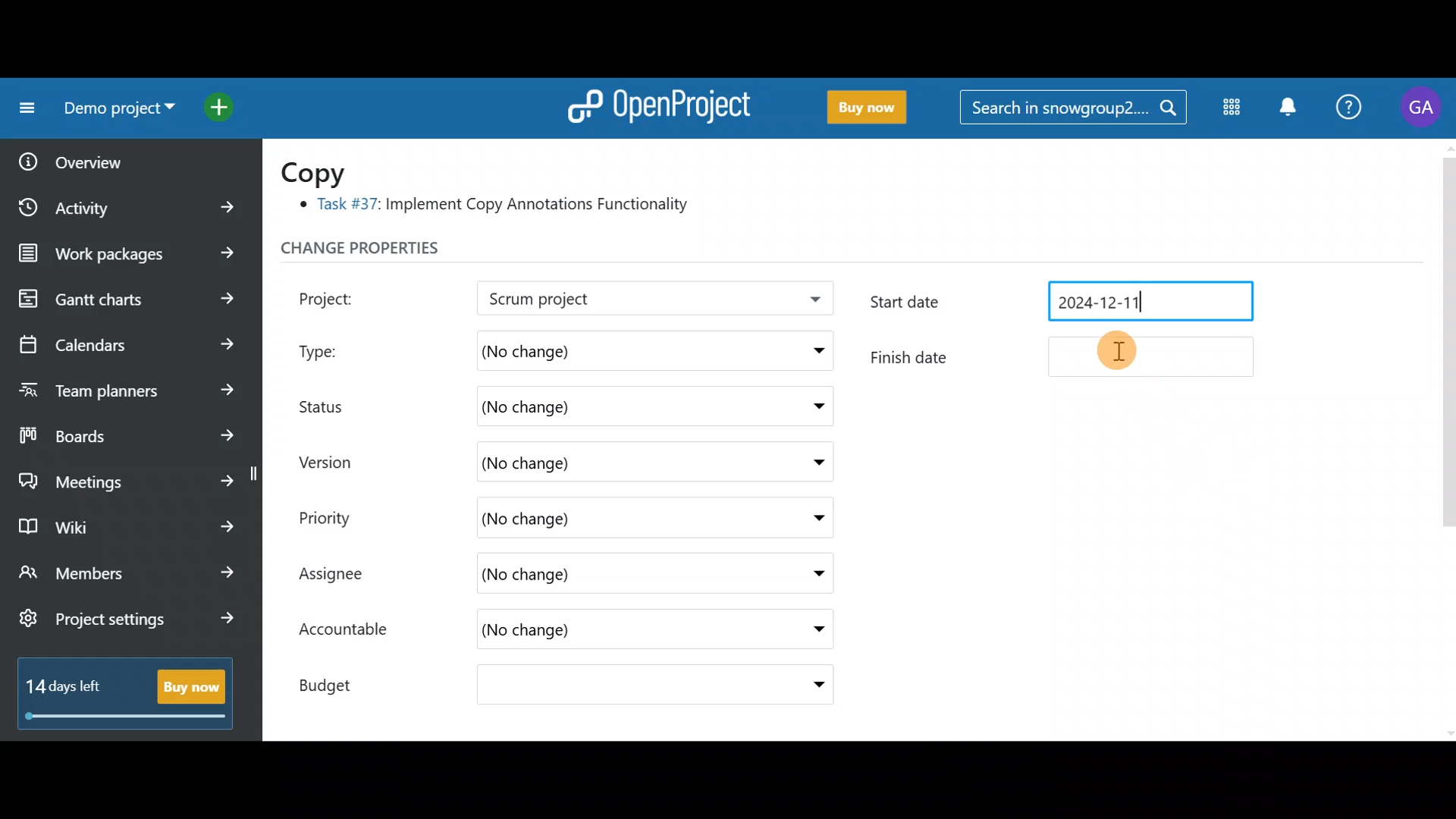 The image size is (1456, 819). What do you see at coordinates (128, 431) in the screenshot?
I see `Boards` at bounding box center [128, 431].